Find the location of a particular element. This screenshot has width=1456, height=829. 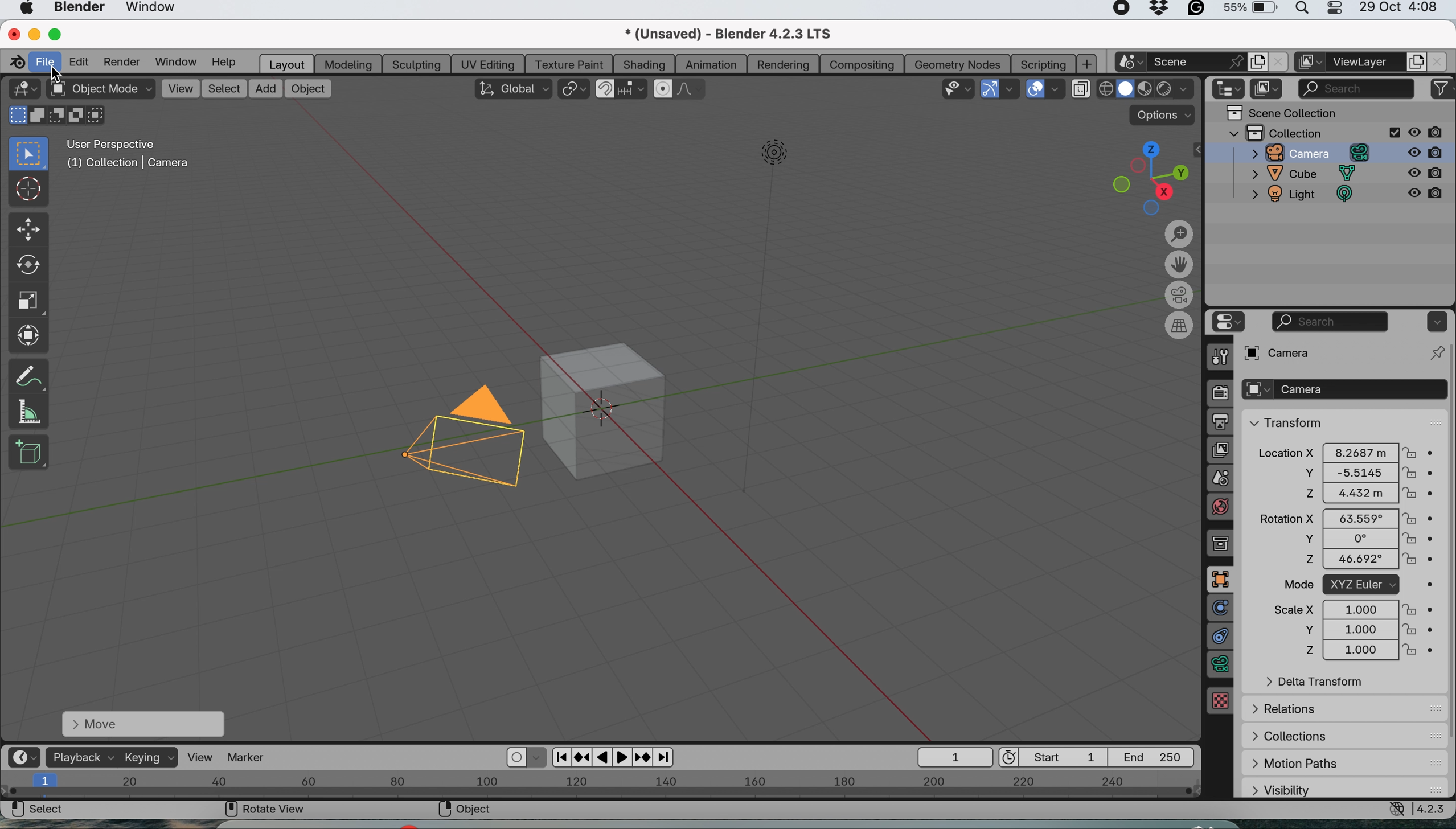

move is located at coordinates (138, 723).